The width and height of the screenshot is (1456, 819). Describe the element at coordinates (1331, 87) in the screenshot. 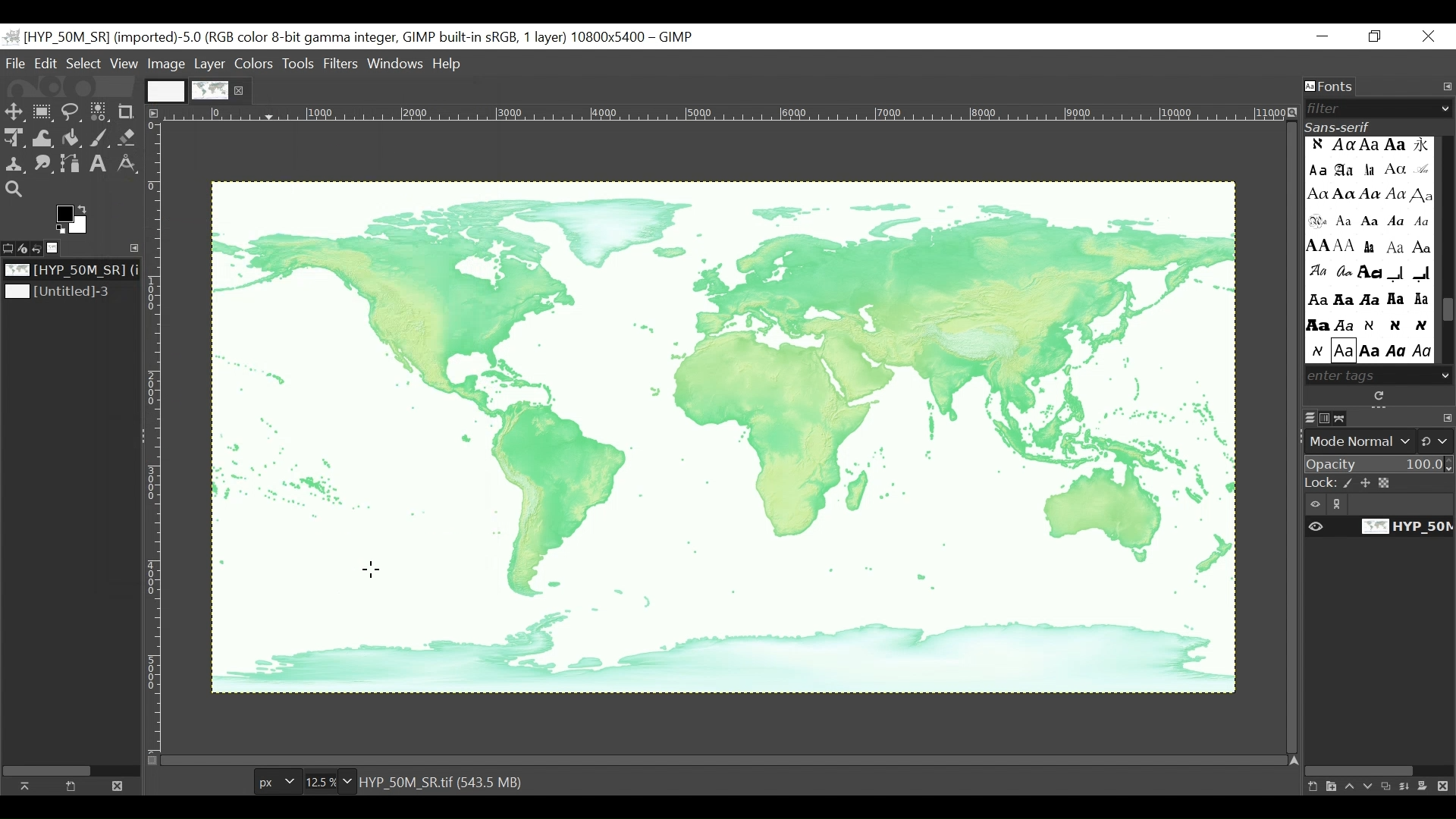

I see `Fonts` at that location.